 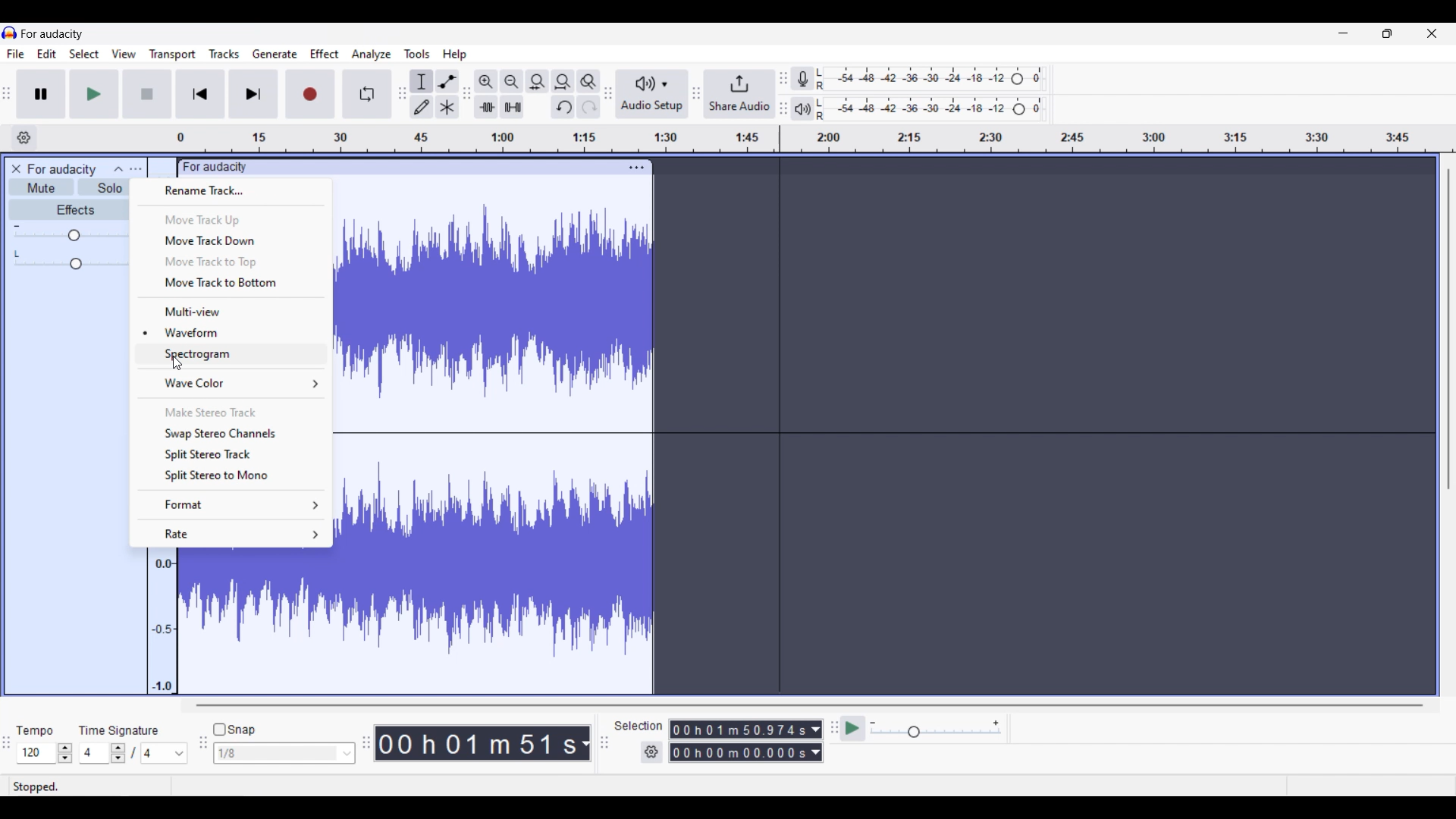 What do you see at coordinates (159, 624) in the screenshot?
I see `amplitude` at bounding box center [159, 624].